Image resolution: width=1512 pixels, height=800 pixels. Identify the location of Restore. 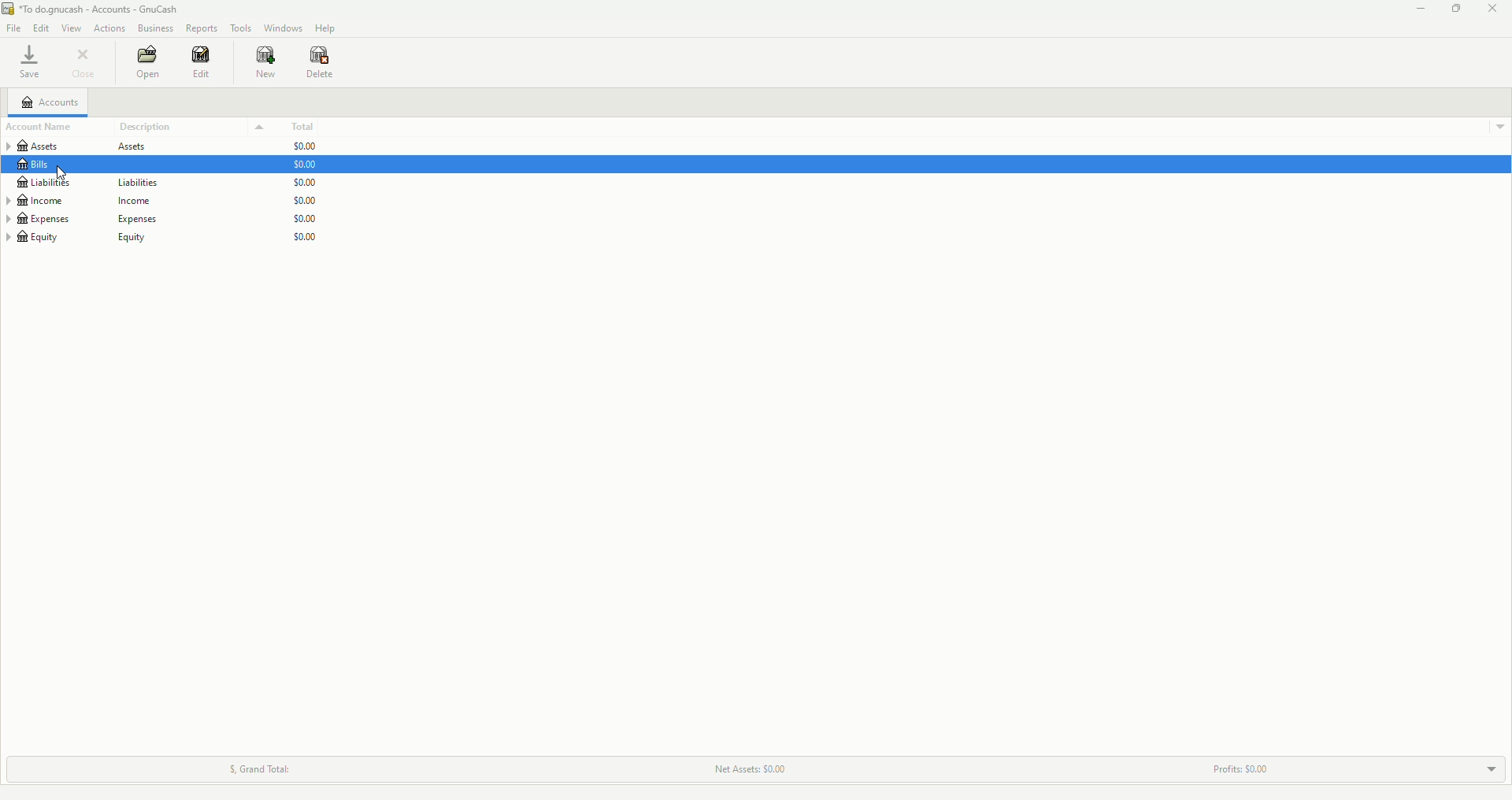
(1455, 9).